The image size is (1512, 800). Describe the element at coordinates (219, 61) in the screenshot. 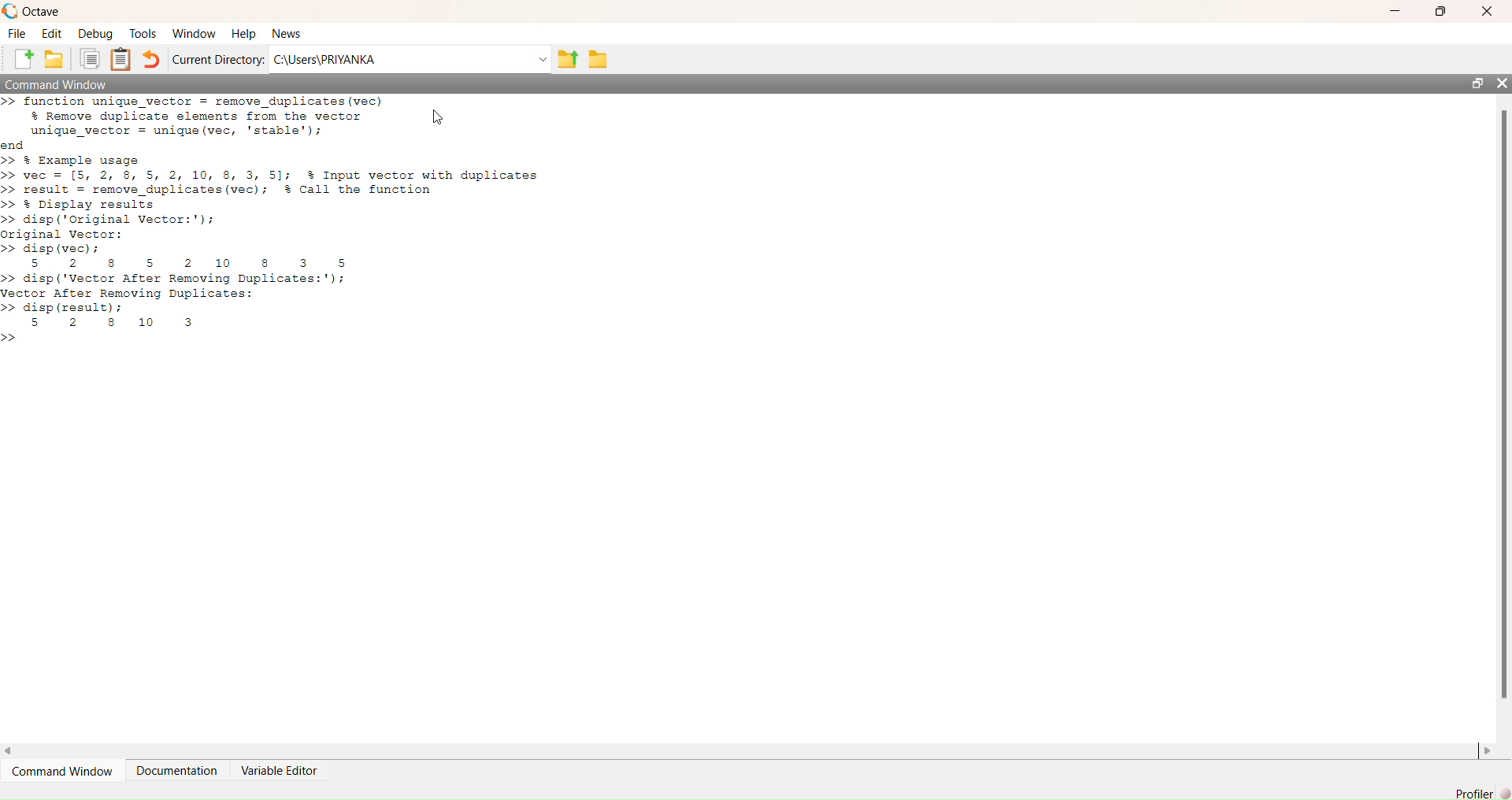

I see `Current Directory:` at that location.